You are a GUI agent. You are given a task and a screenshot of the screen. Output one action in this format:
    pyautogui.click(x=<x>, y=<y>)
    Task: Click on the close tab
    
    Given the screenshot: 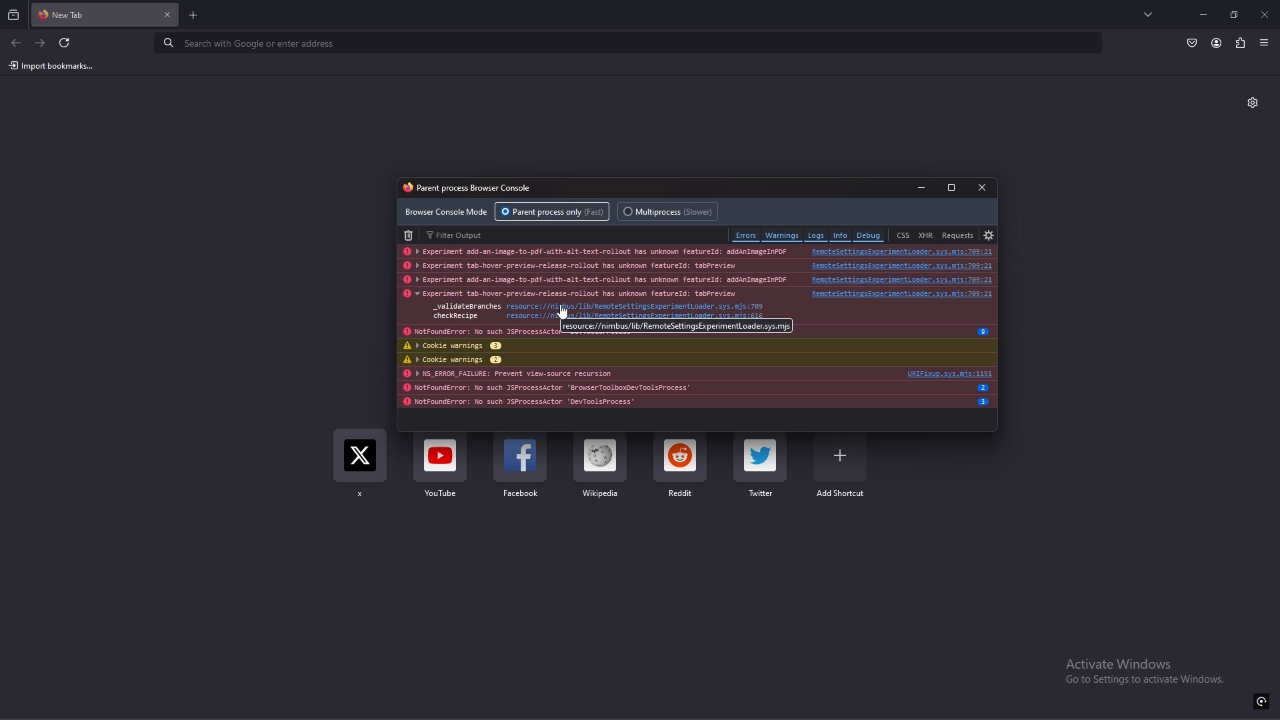 What is the action you would take?
    pyautogui.click(x=167, y=15)
    